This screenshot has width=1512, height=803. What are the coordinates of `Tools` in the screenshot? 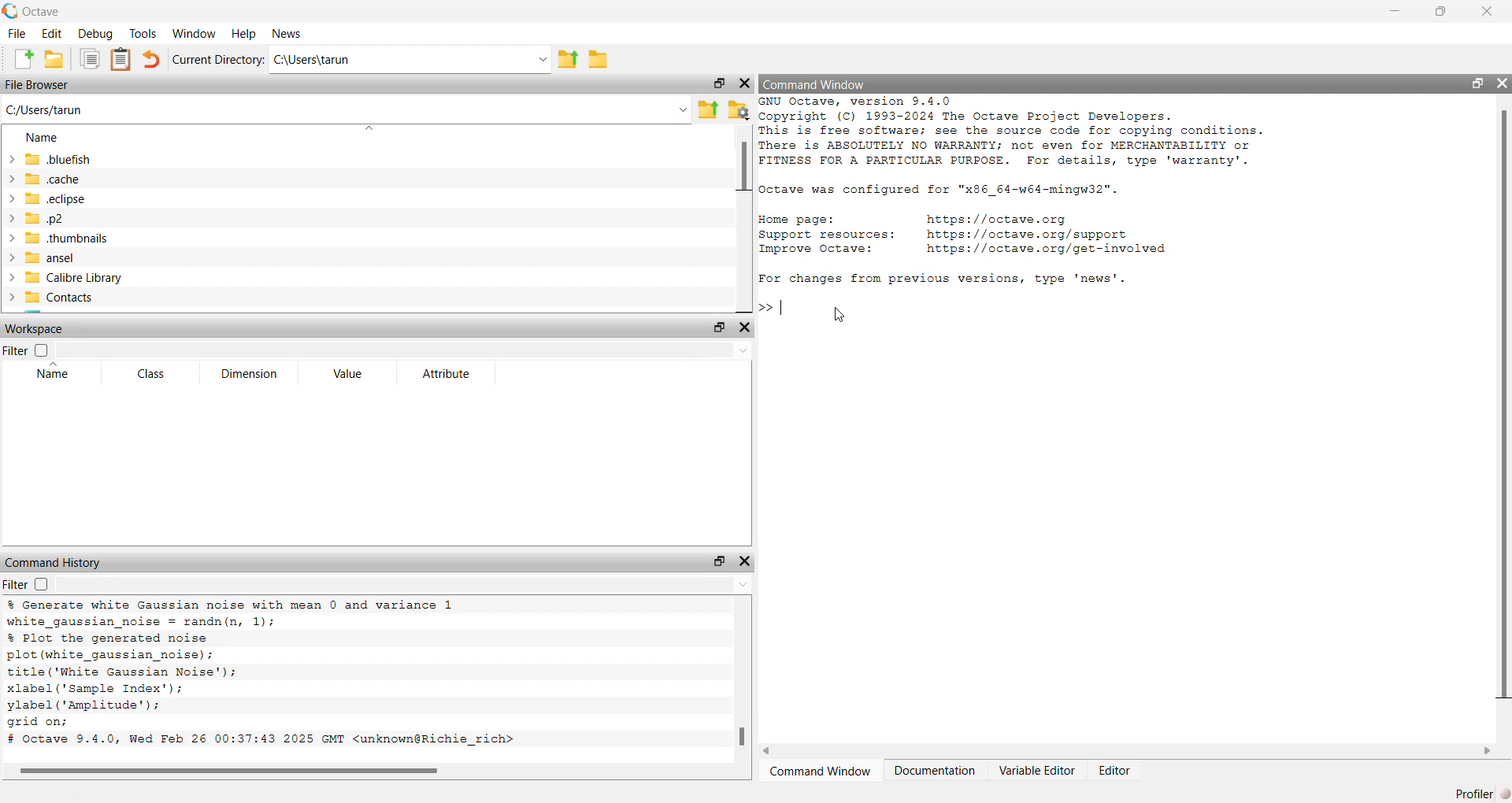 It's located at (141, 33).